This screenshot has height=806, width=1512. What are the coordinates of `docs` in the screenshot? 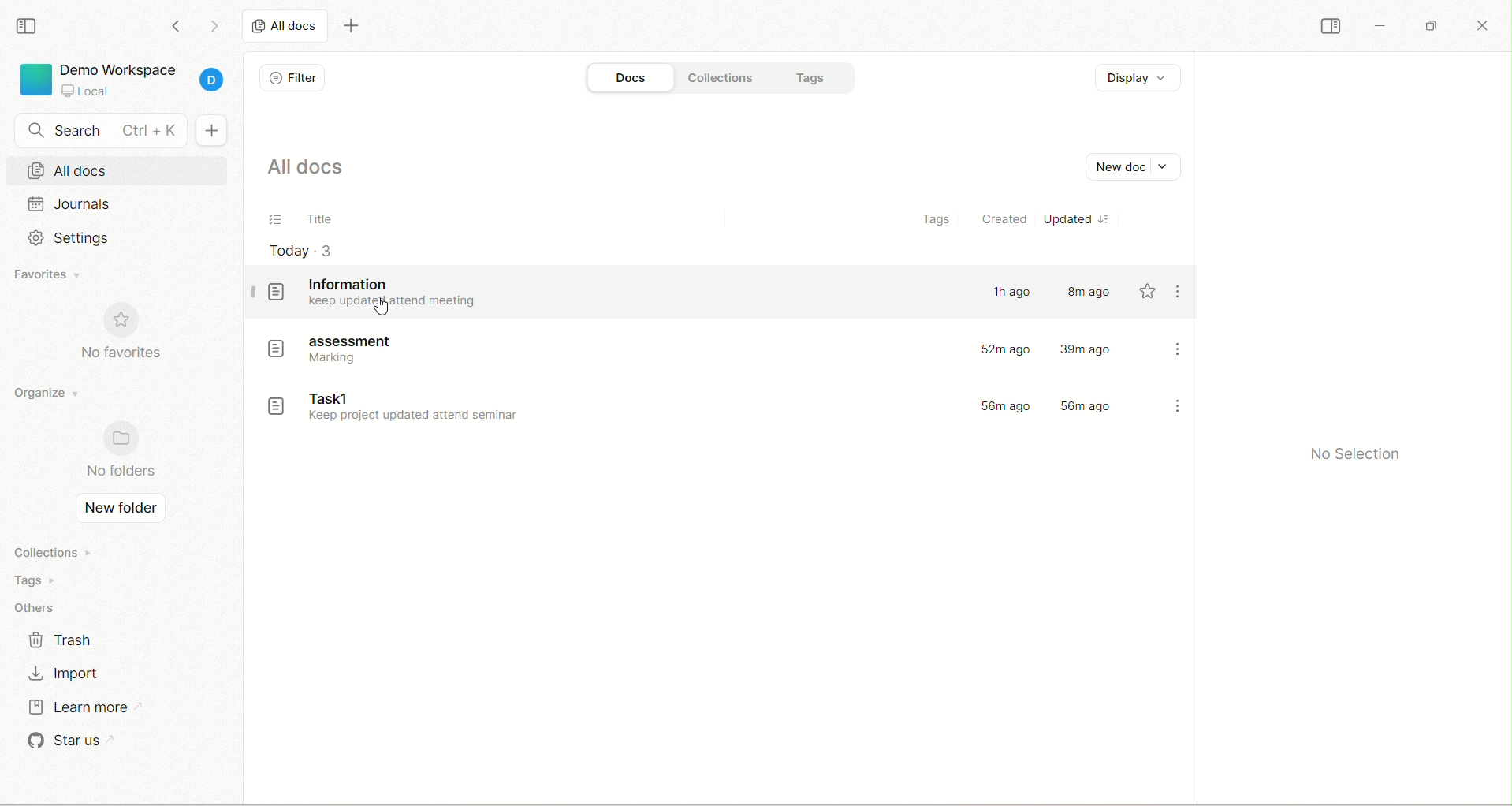 It's located at (628, 76).